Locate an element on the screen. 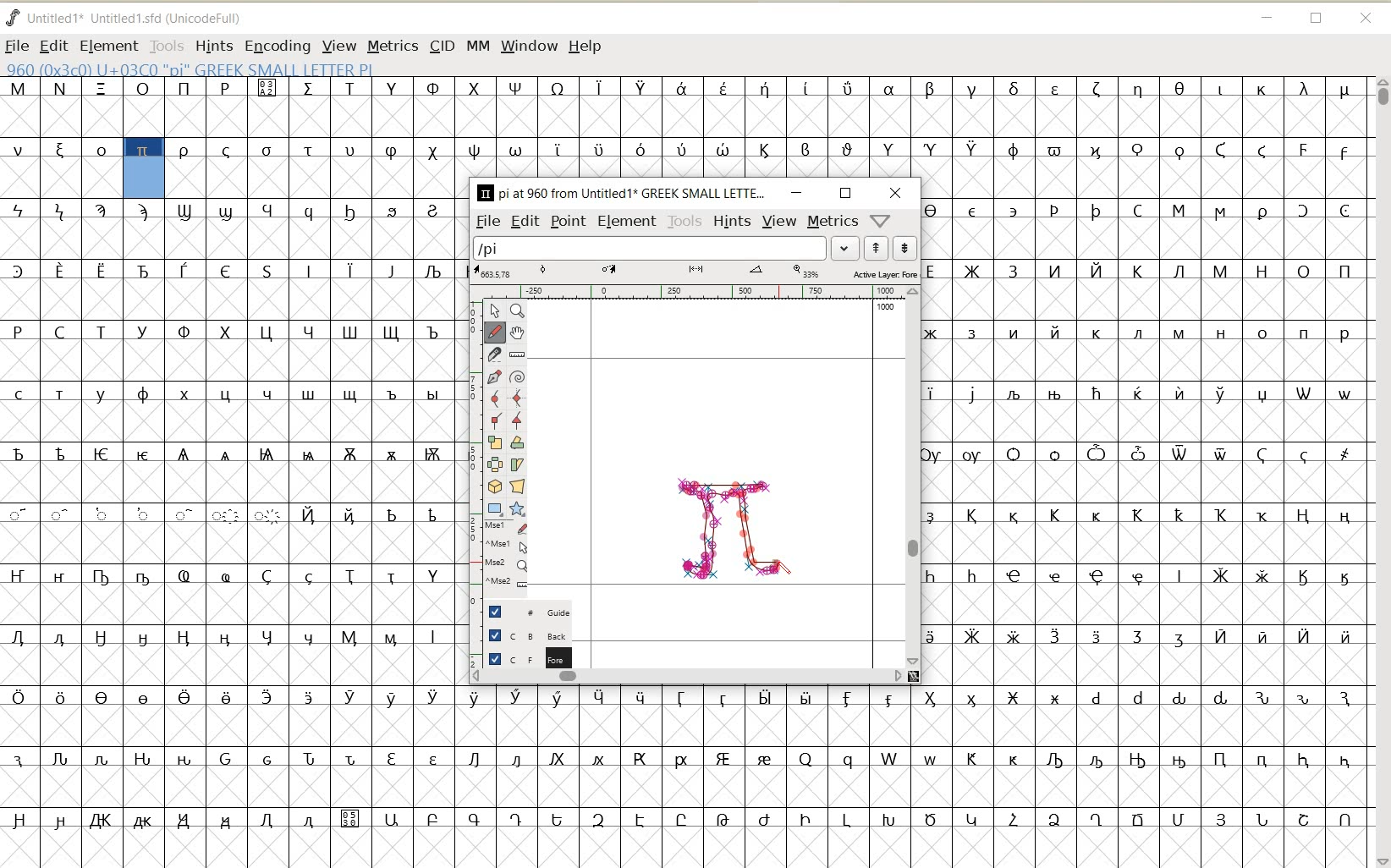 This screenshot has height=868, width=1391. RESTORE is located at coordinates (1317, 19).